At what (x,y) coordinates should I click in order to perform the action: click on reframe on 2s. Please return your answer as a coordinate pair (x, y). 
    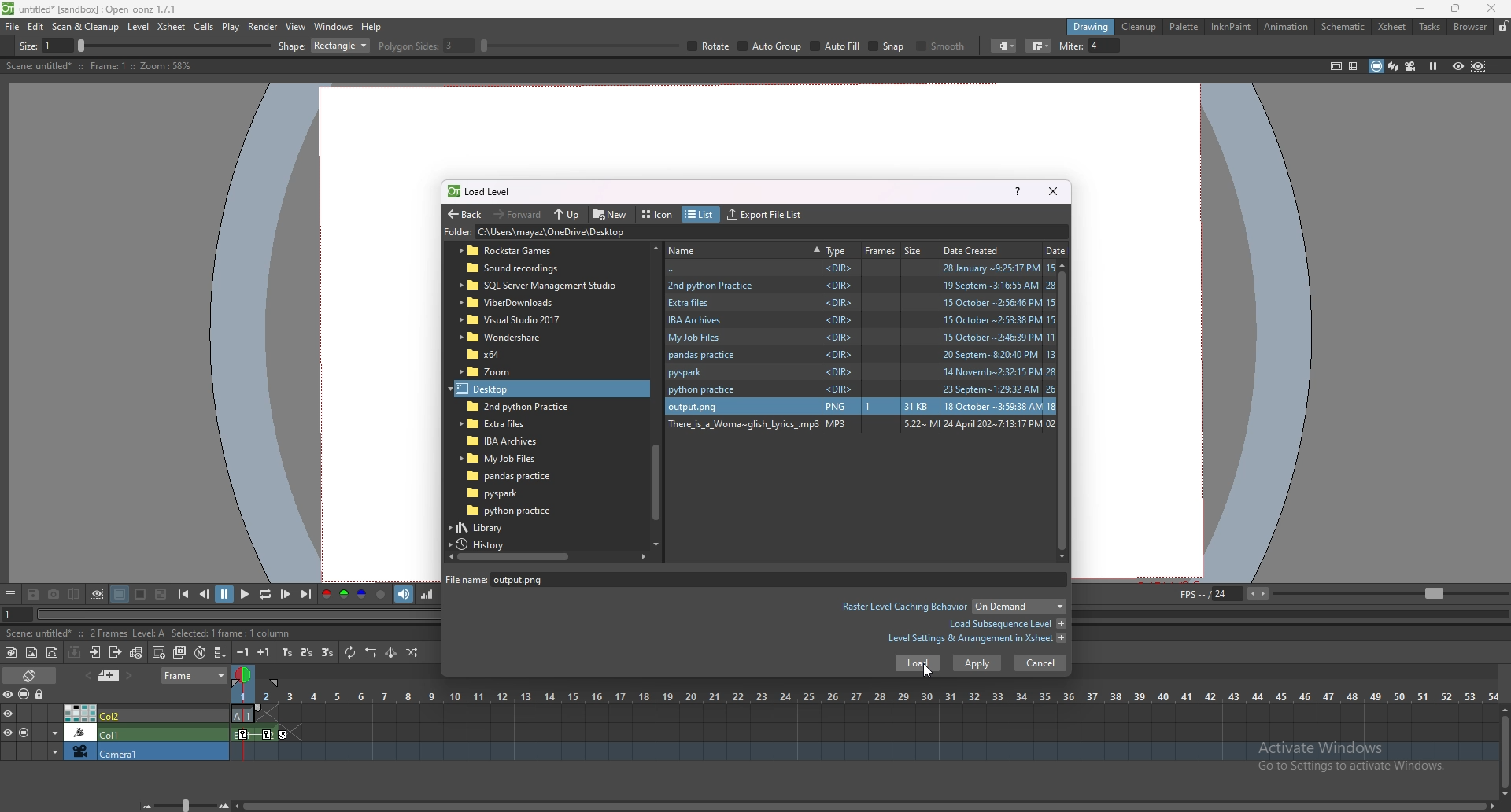
    Looking at the image, I should click on (308, 654).